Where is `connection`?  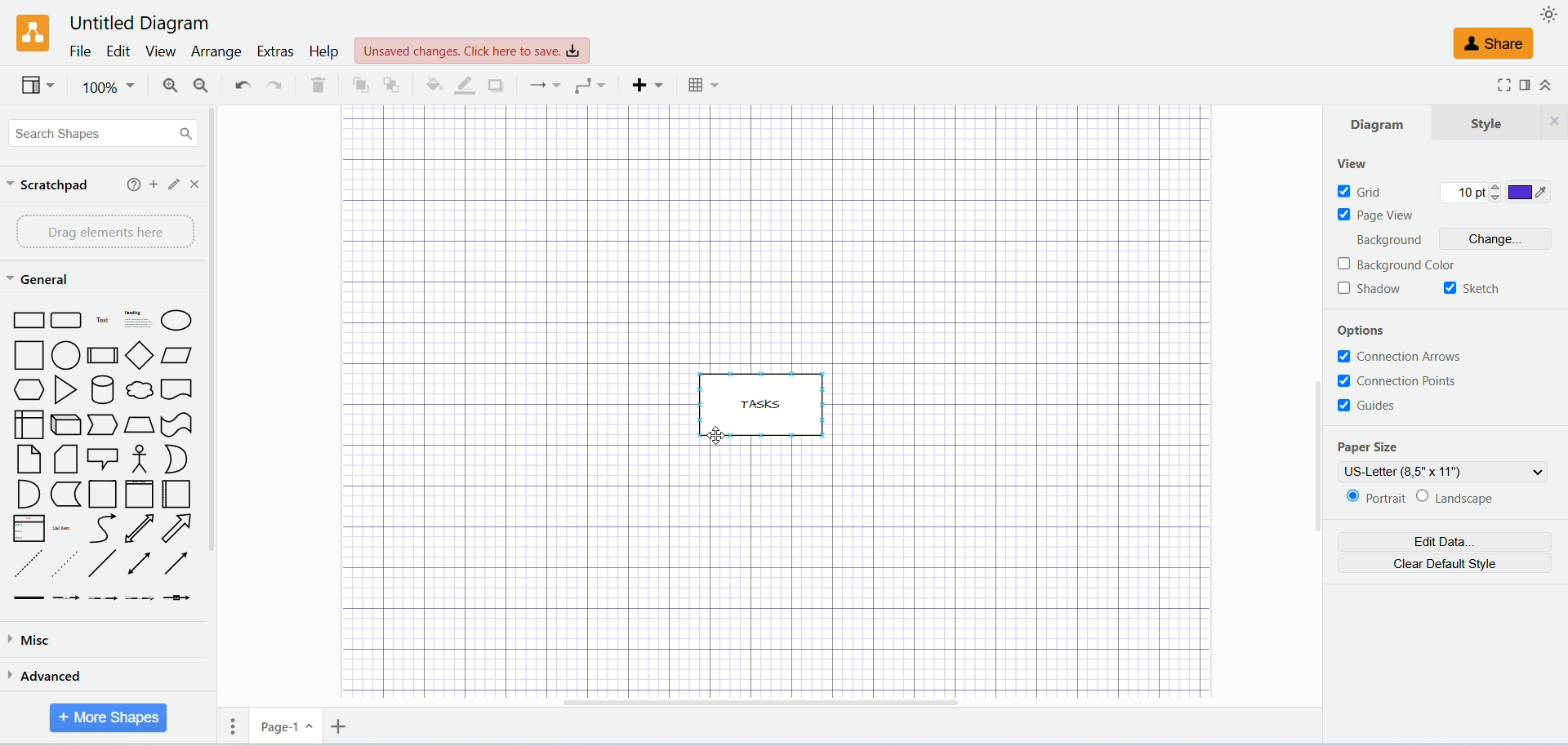 connection is located at coordinates (540, 85).